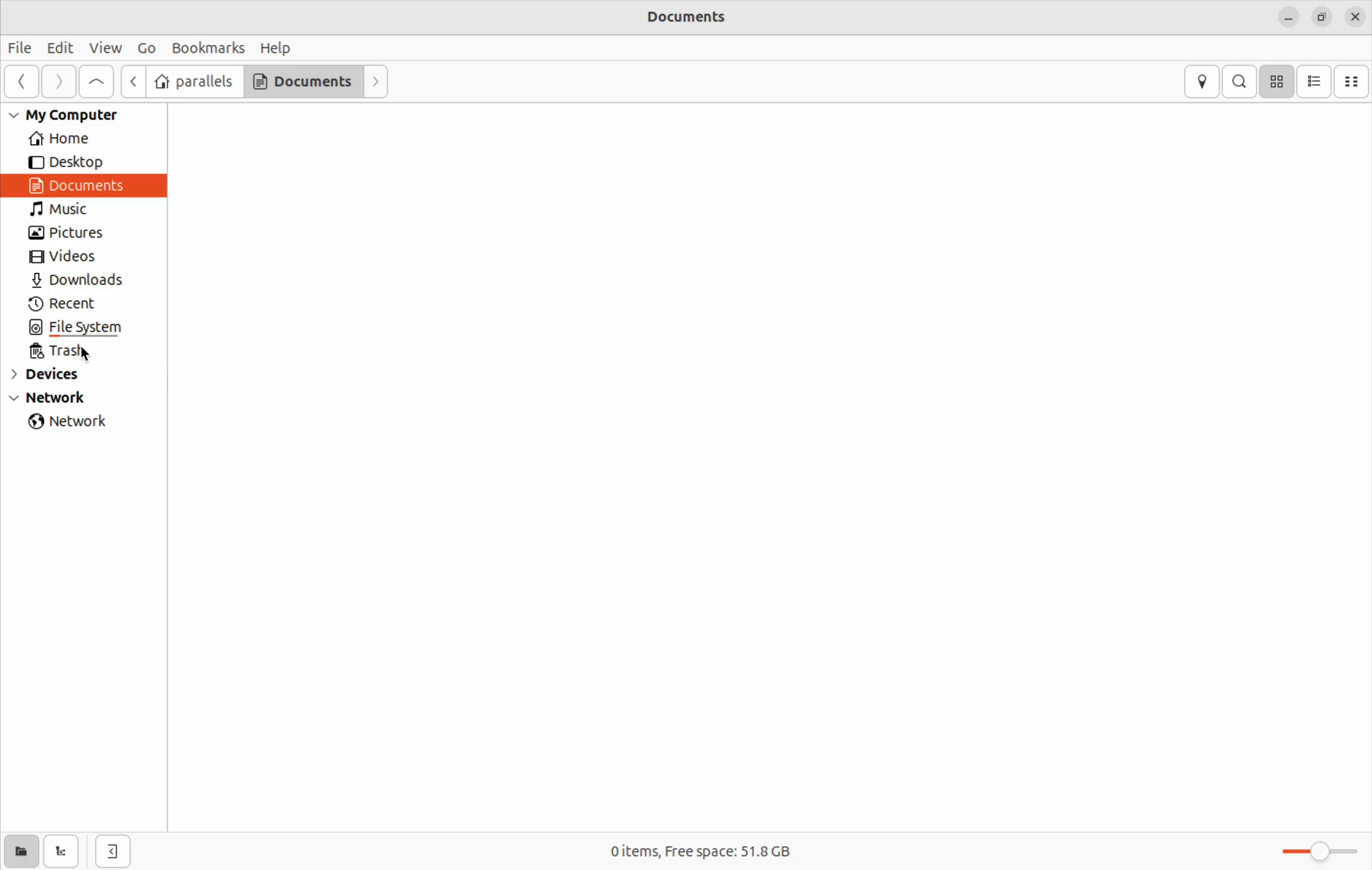 Image resolution: width=1372 pixels, height=870 pixels. What do you see at coordinates (1322, 17) in the screenshot?
I see `resize` at bounding box center [1322, 17].